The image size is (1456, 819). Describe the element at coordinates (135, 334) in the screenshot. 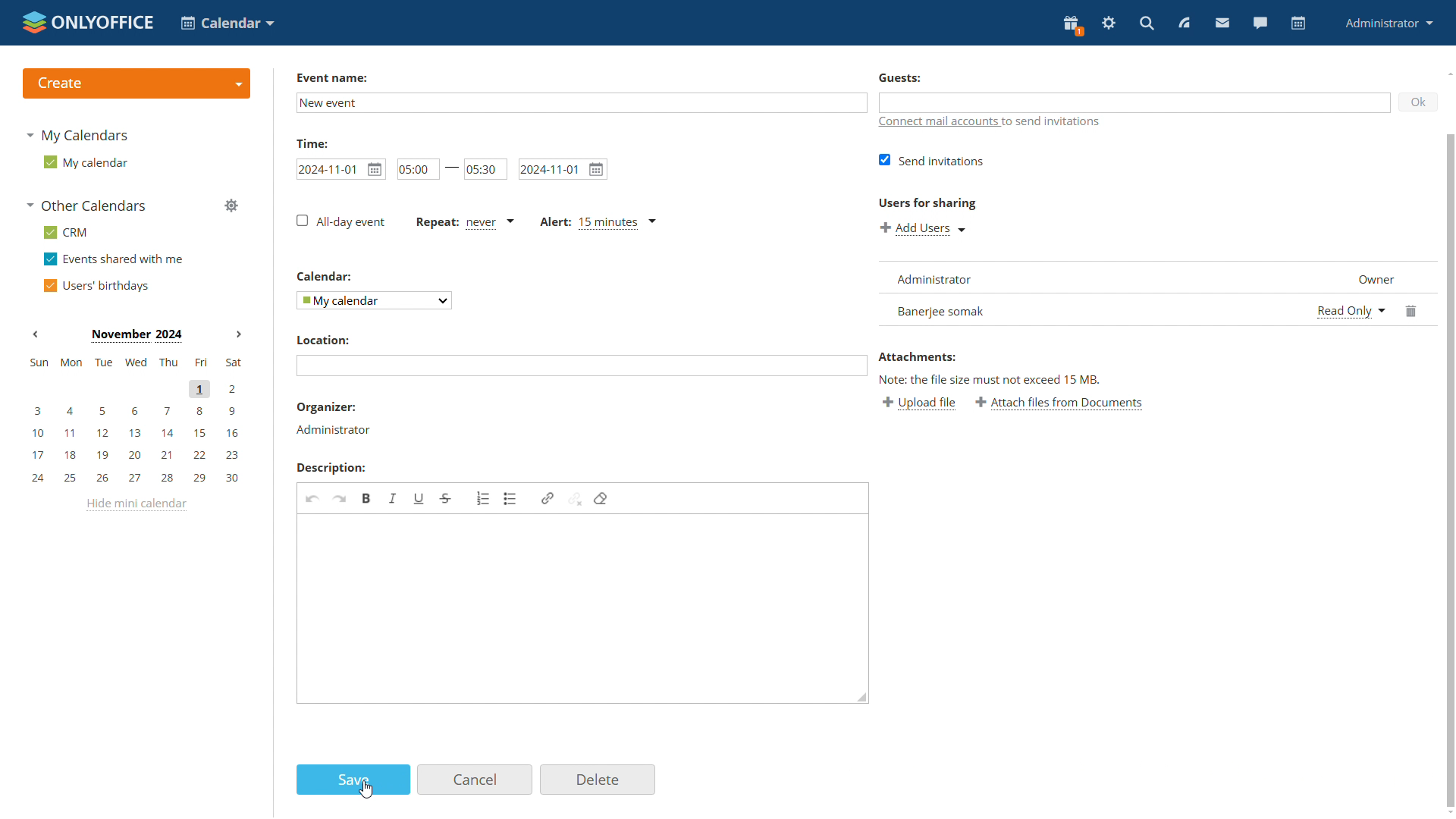

I see `Month on display` at that location.